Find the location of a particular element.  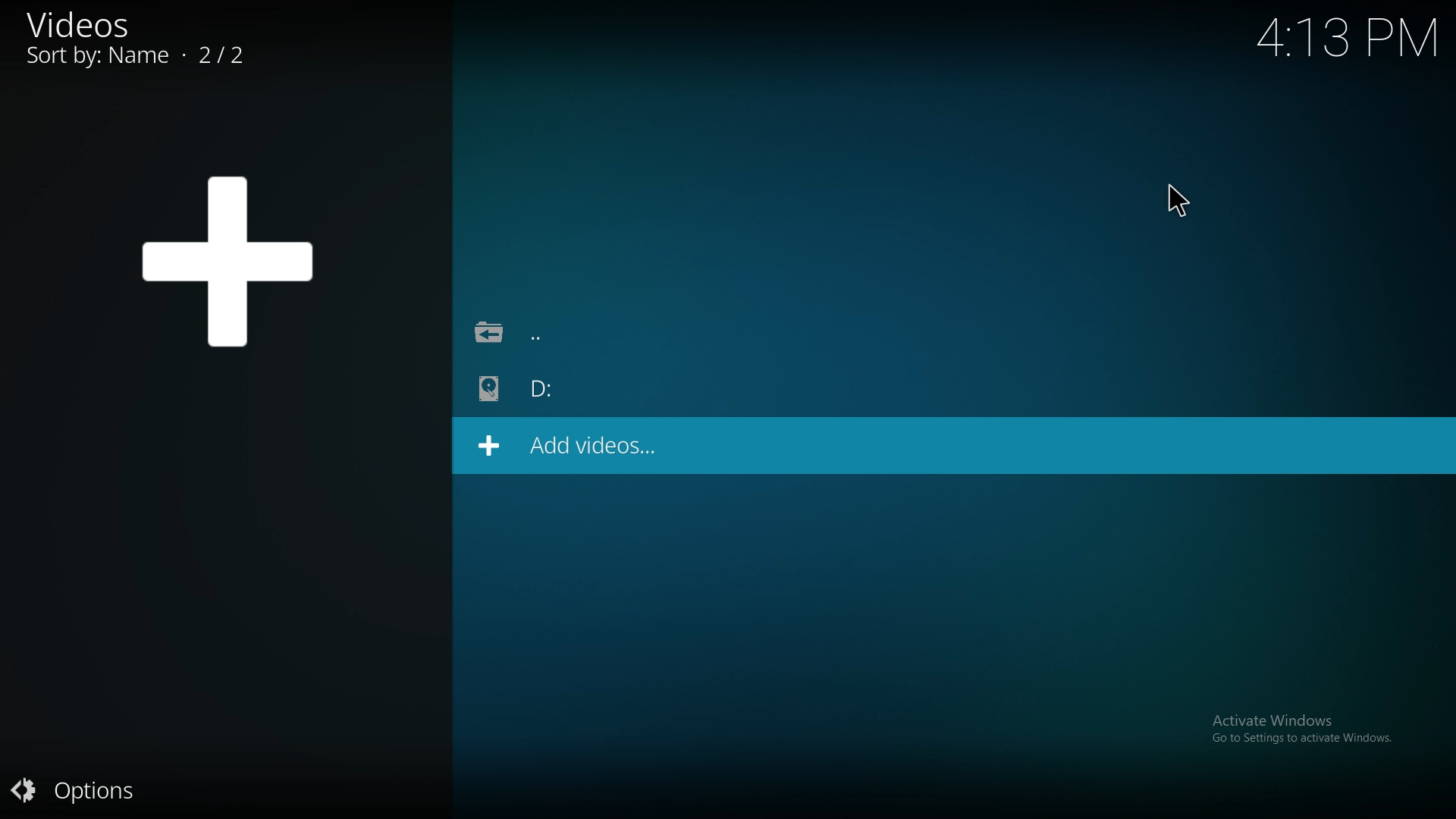

folder is located at coordinates (552, 388).